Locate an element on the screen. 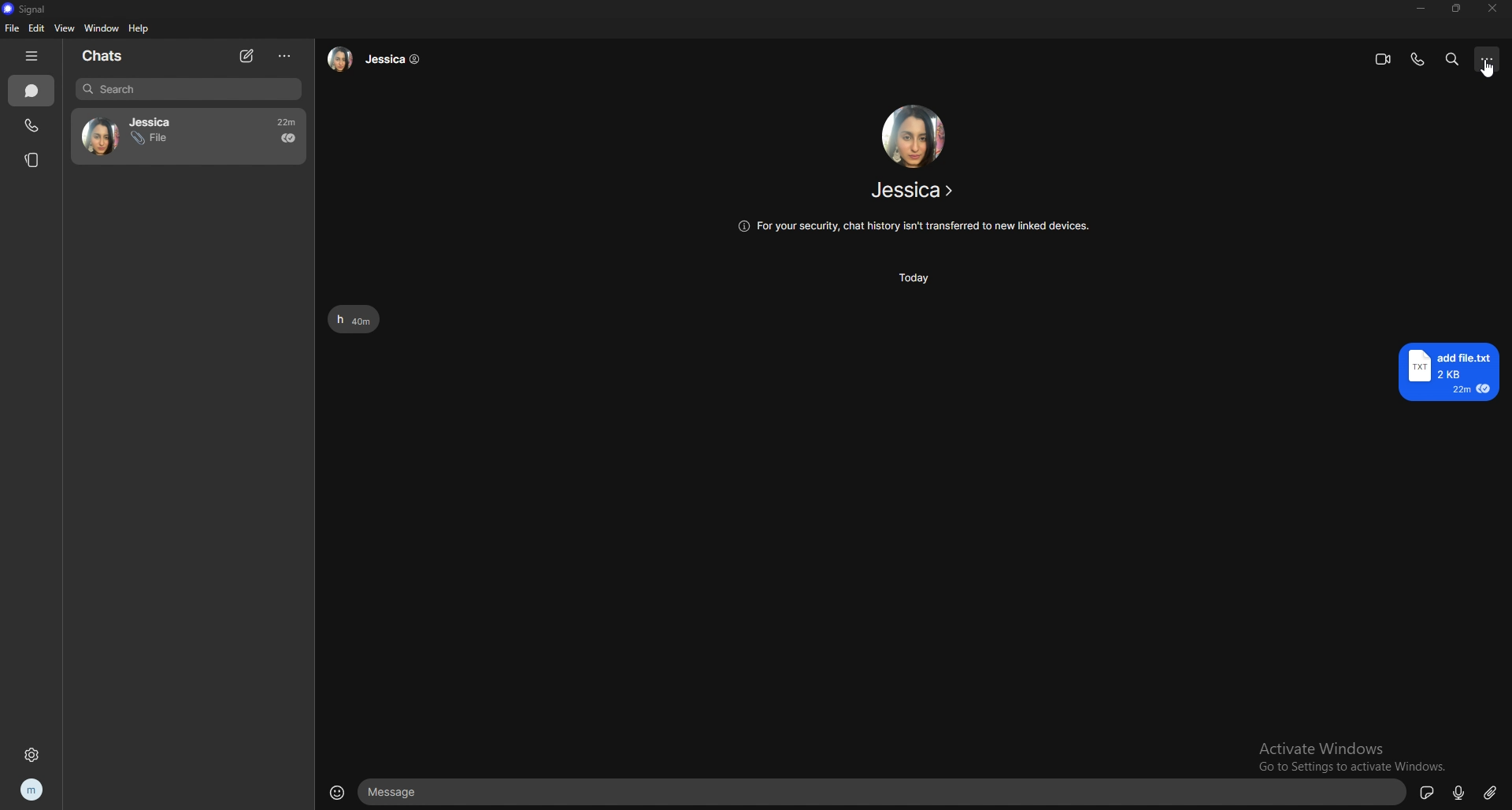  view is located at coordinates (65, 27).